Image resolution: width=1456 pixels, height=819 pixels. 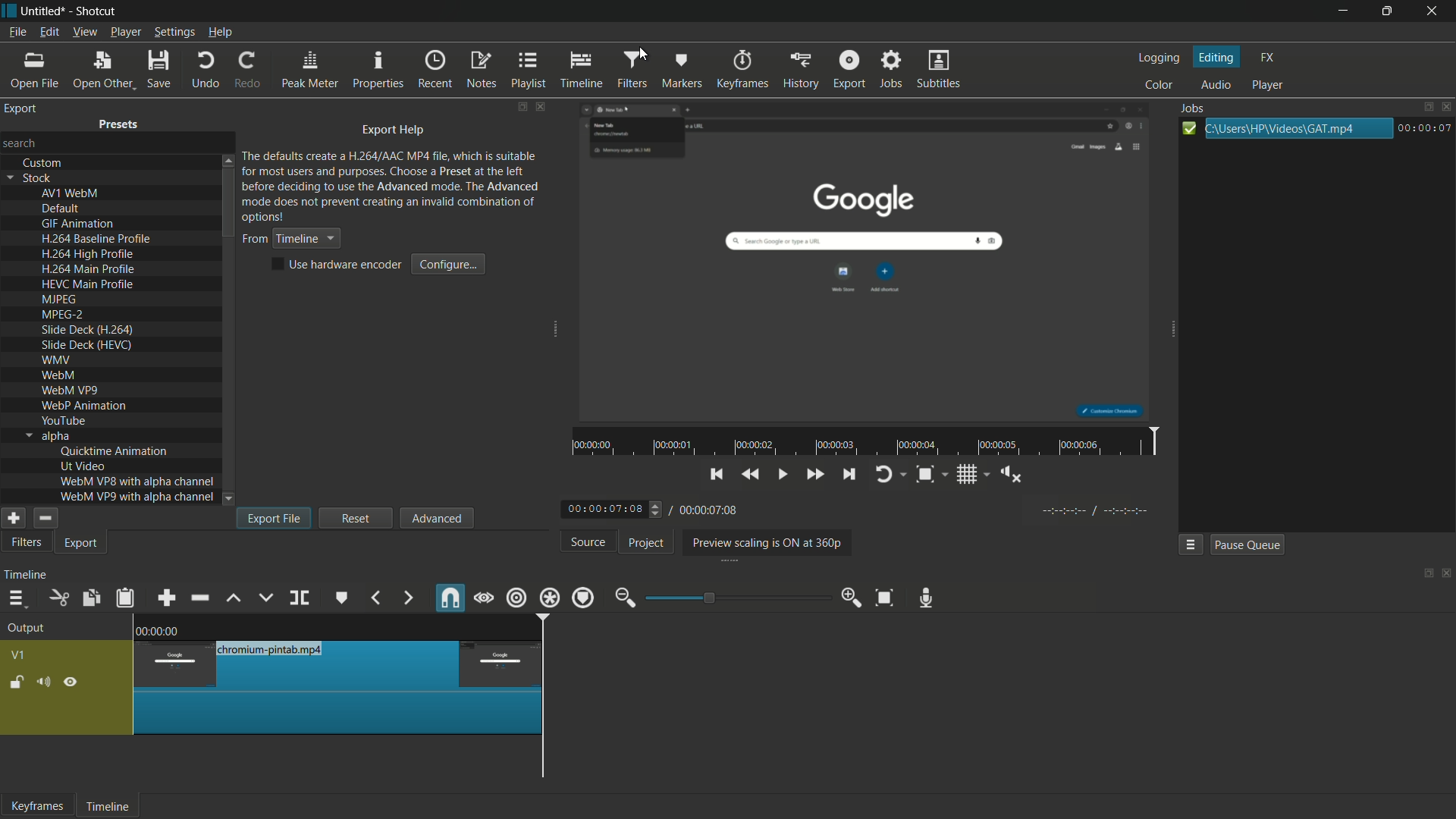 What do you see at coordinates (1425, 127) in the screenshot?
I see `time taken` at bounding box center [1425, 127].